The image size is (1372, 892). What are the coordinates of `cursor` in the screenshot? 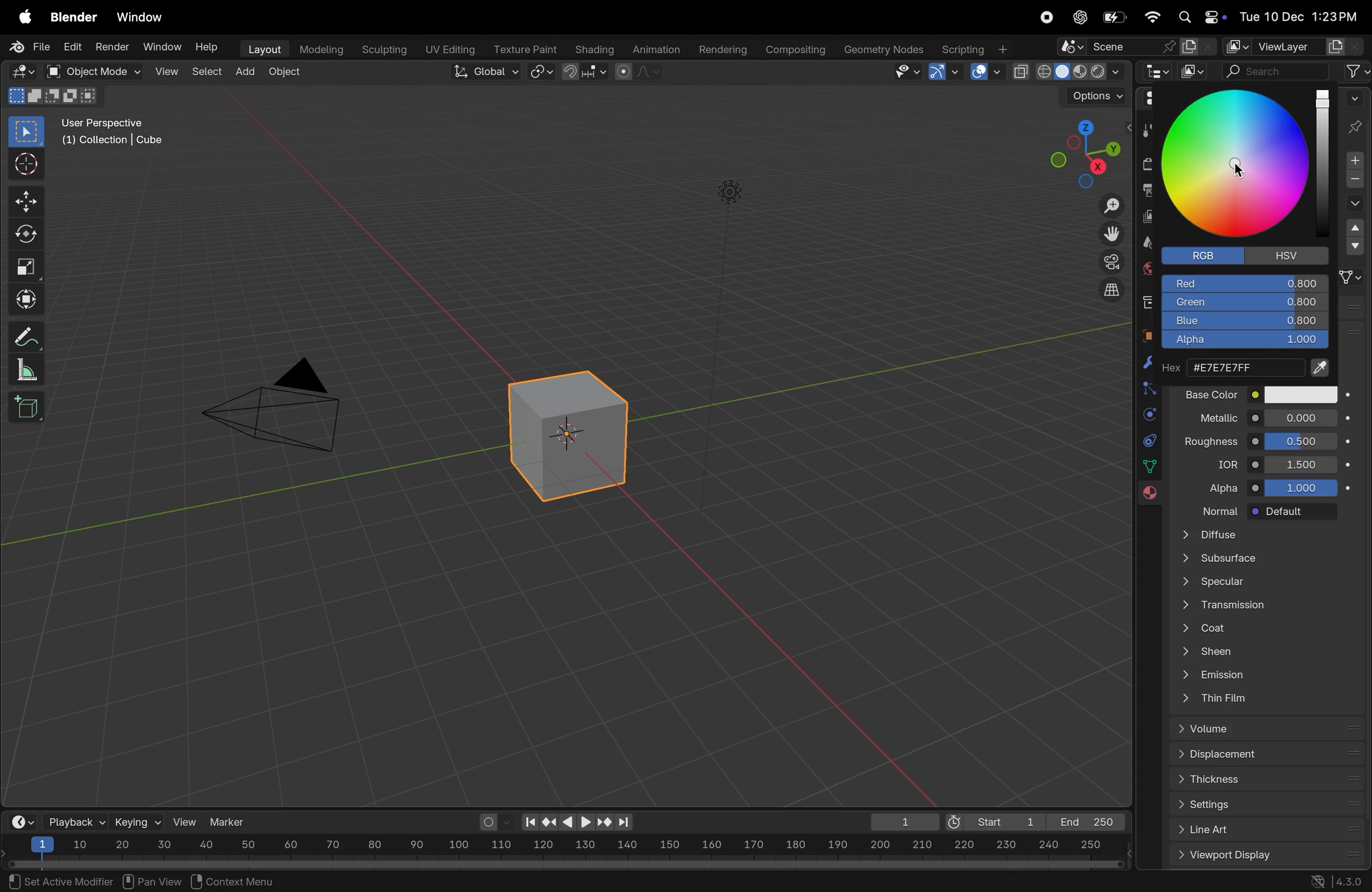 It's located at (24, 165).